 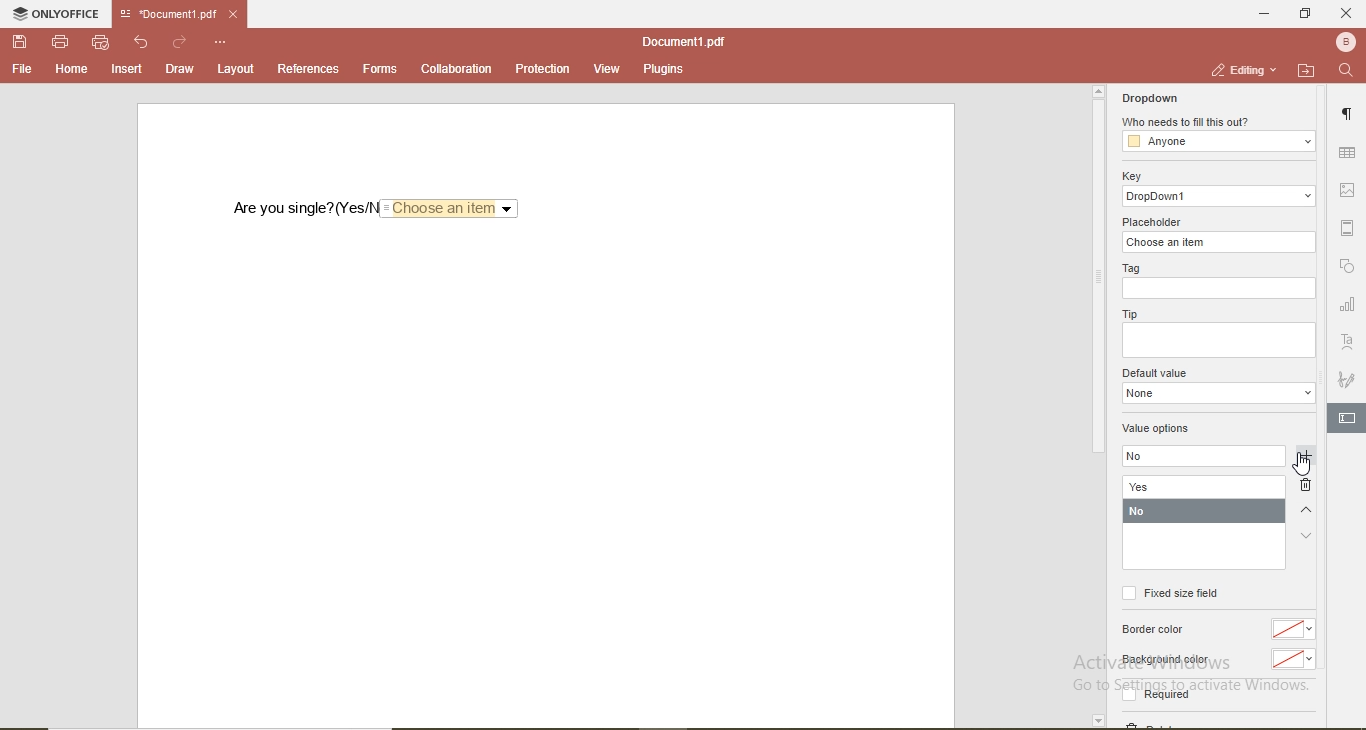 I want to click on margin, so click(x=1348, y=225).